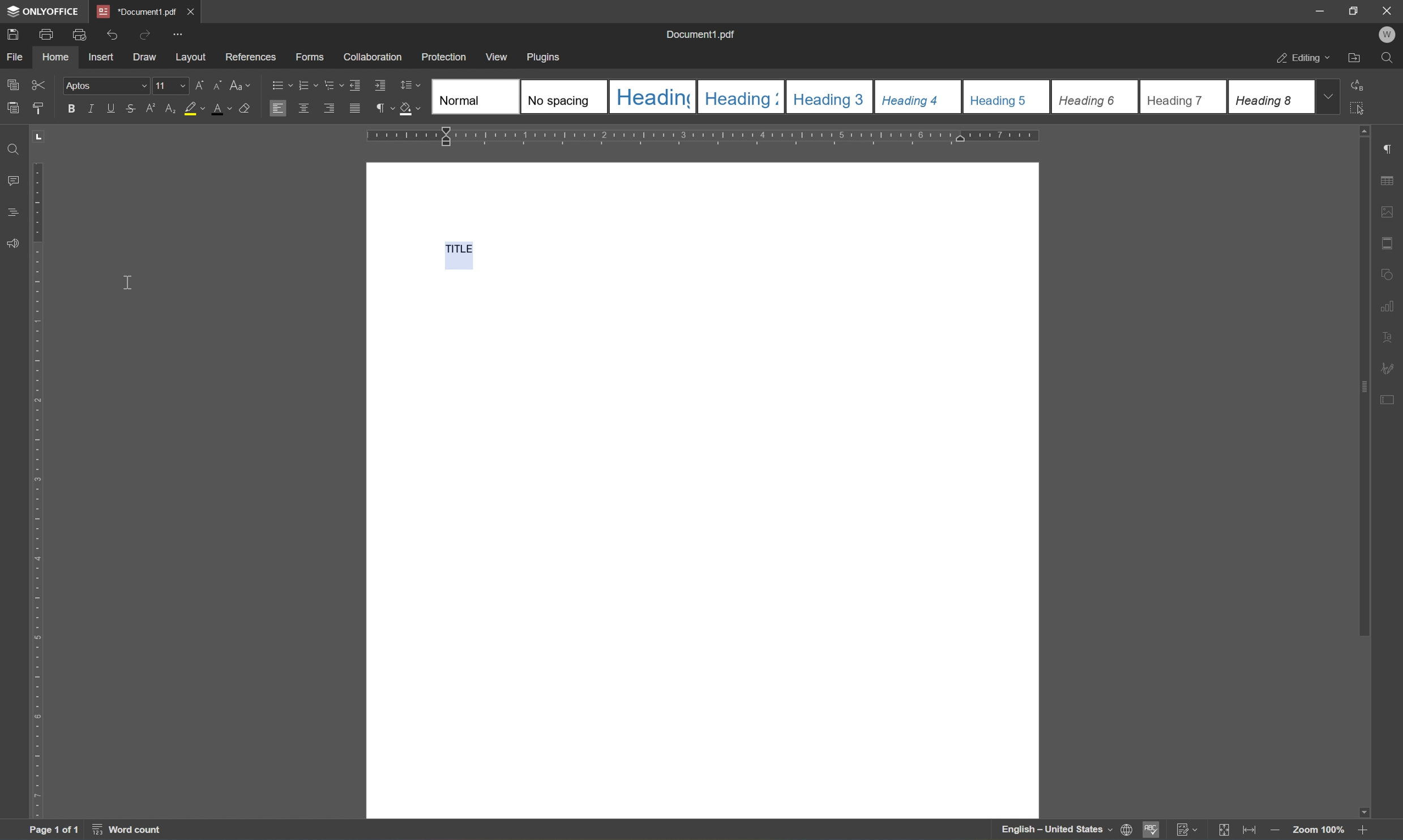 The width and height of the screenshot is (1403, 840). I want to click on Decrement font size, so click(217, 86).